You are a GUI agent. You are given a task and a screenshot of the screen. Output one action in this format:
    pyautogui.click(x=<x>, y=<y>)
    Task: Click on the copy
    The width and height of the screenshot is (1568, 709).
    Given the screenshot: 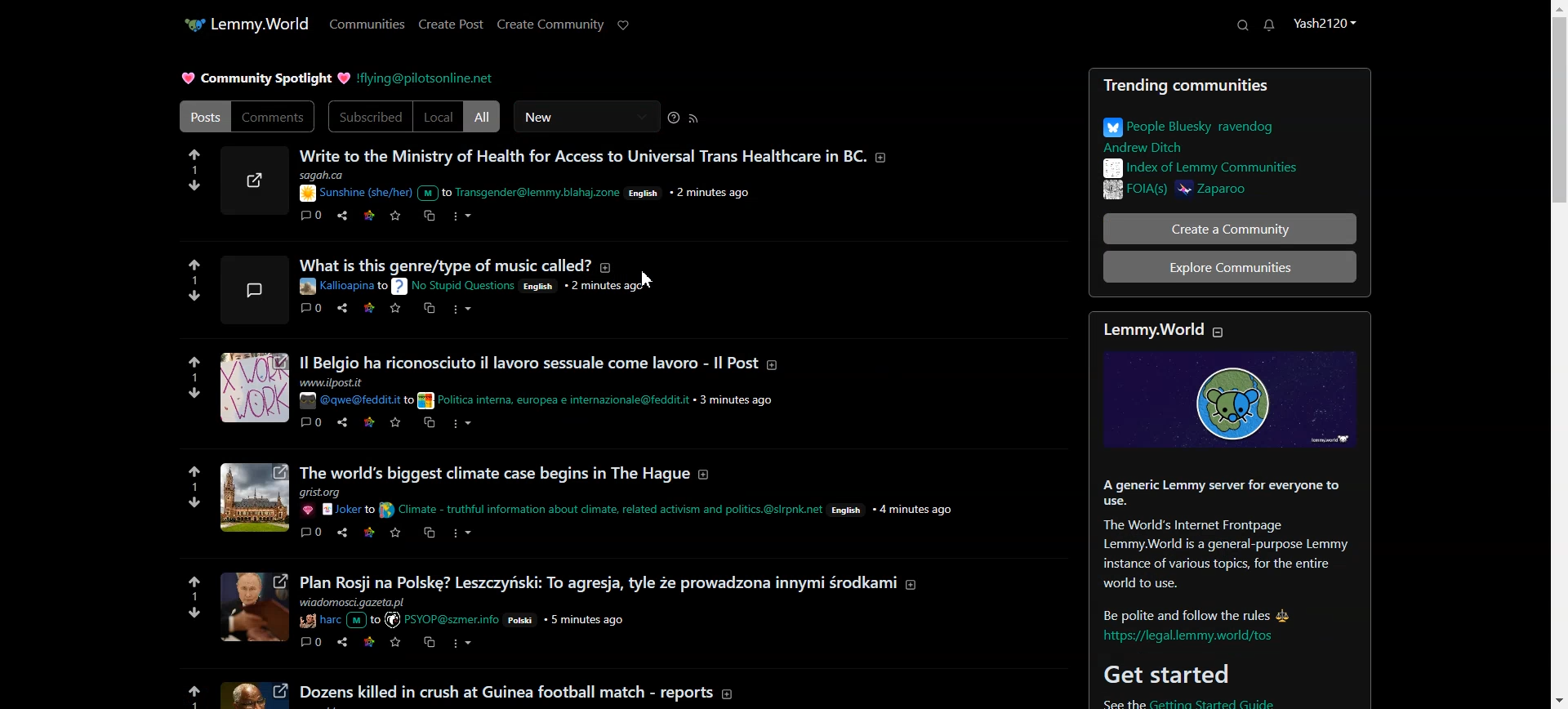 What is the action you would take?
    pyautogui.click(x=431, y=644)
    